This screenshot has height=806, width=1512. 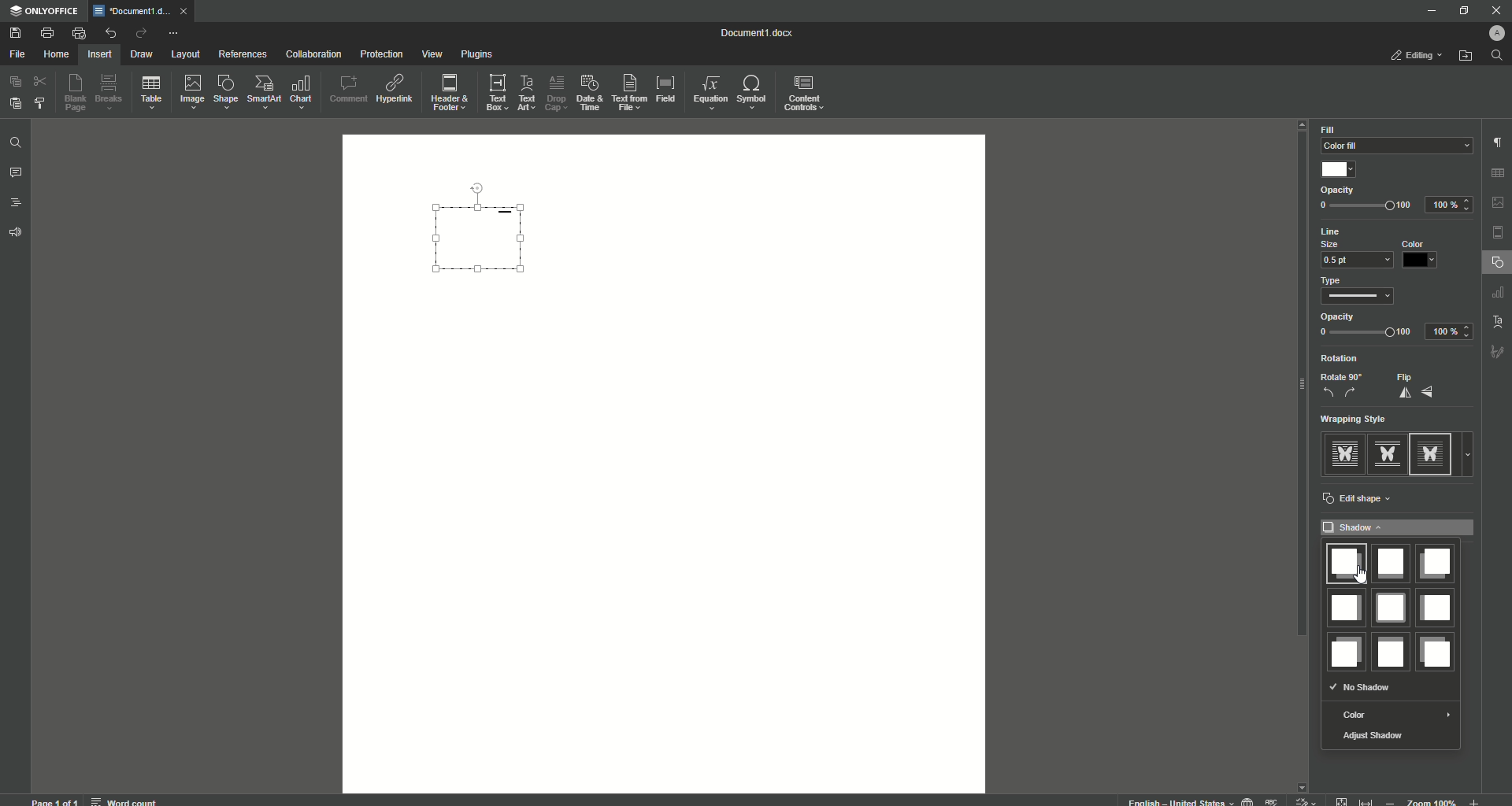 I want to click on SmartArt, so click(x=264, y=92).